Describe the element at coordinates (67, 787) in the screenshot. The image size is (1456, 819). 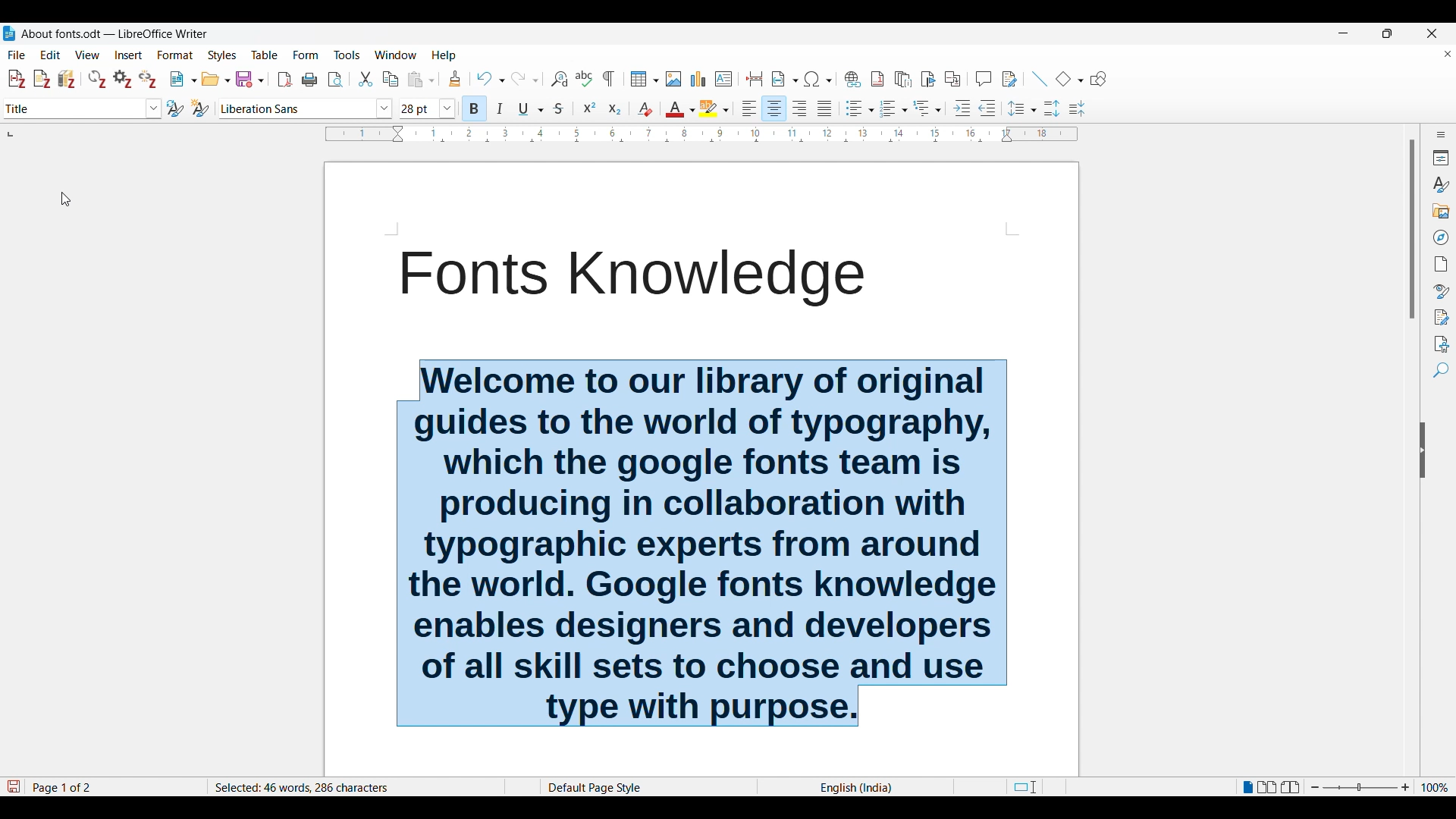
I see `Status bar details about current document` at that location.